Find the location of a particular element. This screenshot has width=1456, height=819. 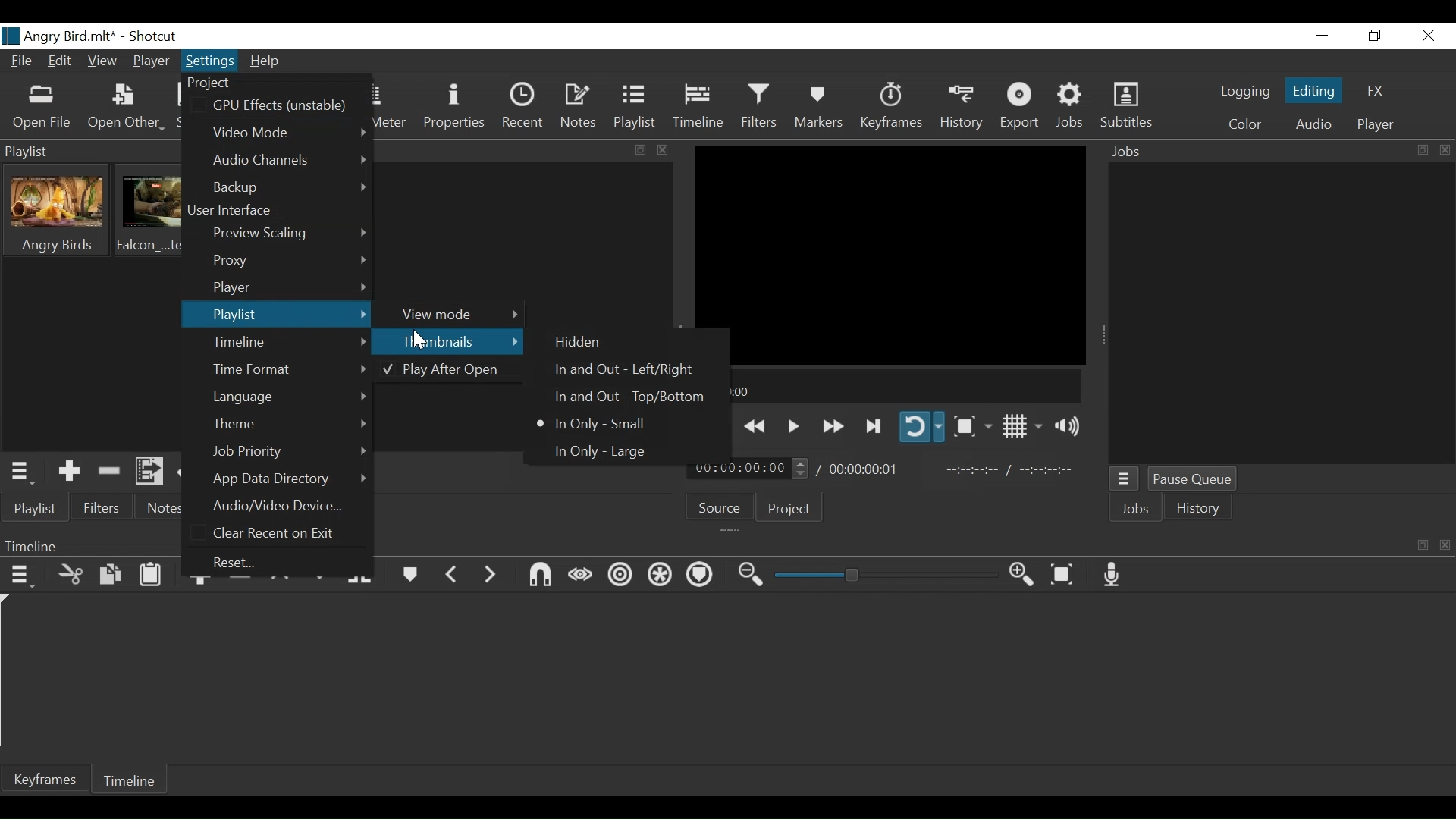

File name is located at coordinates (60, 35).